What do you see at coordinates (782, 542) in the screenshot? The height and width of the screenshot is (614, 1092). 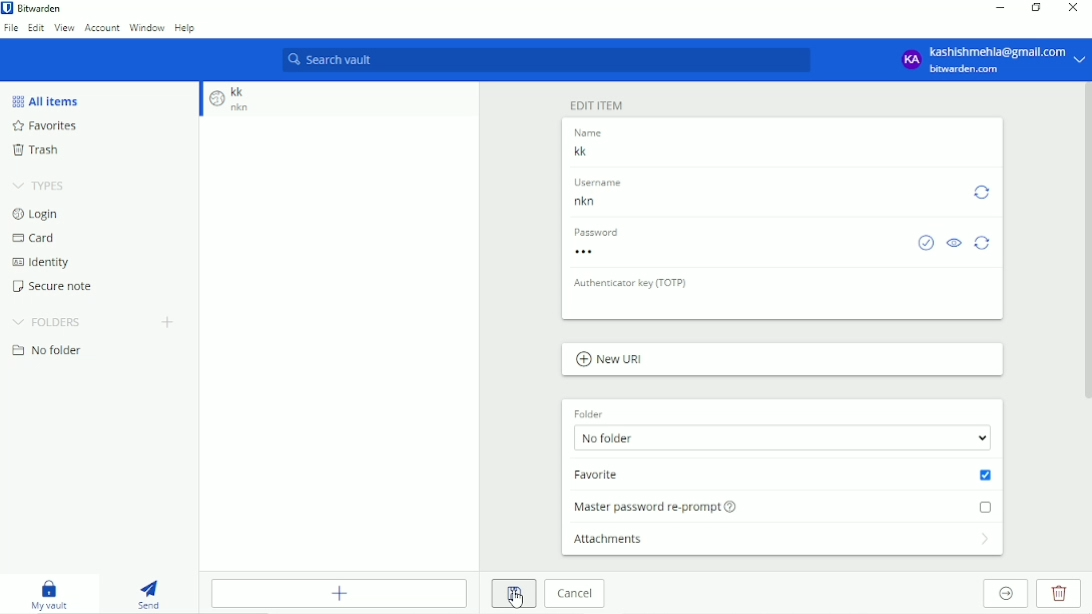 I see `Attachments` at bounding box center [782, 542].